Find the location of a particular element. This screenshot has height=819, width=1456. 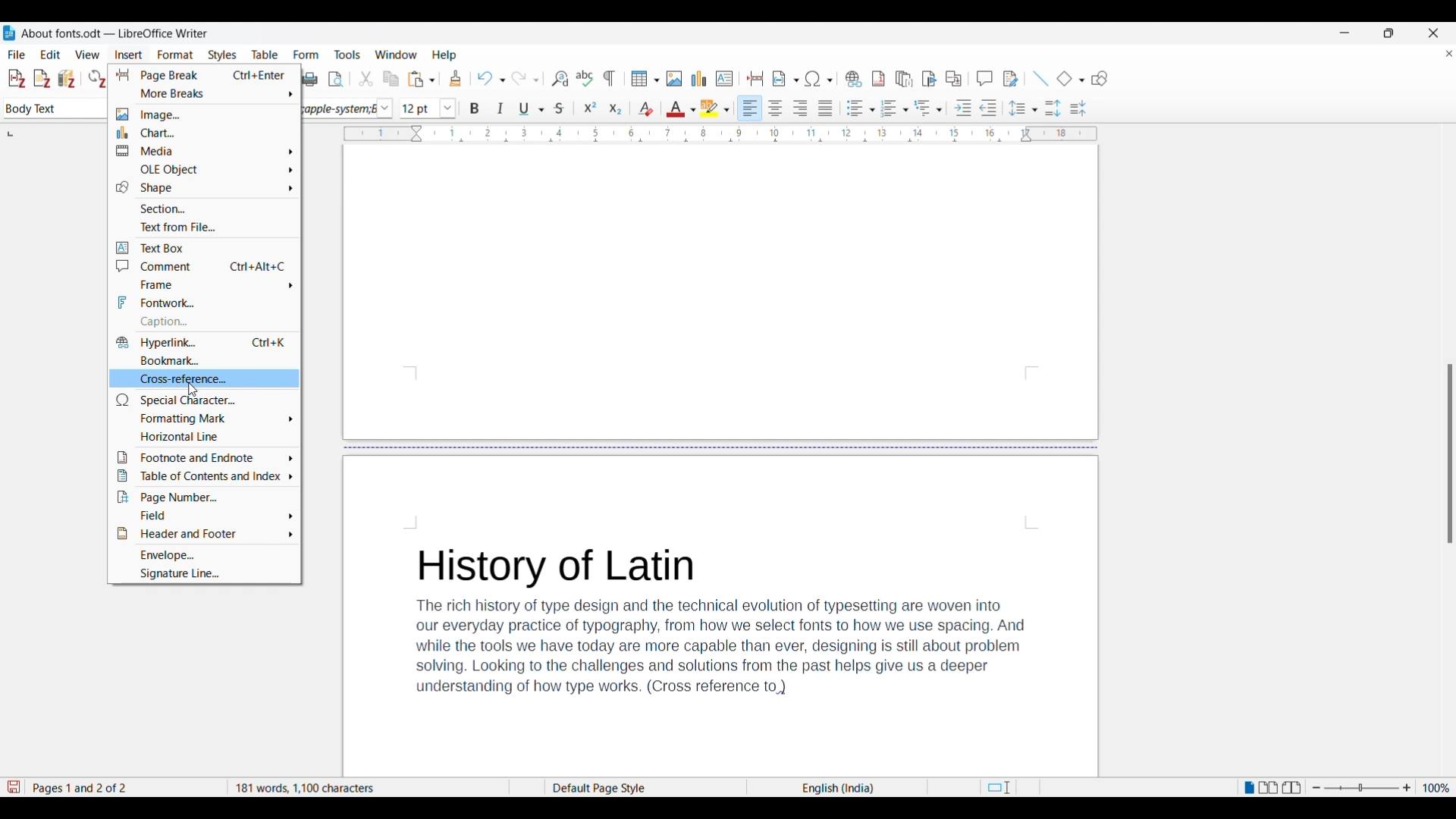

Insert endnote is located at coordinates (904, 80).